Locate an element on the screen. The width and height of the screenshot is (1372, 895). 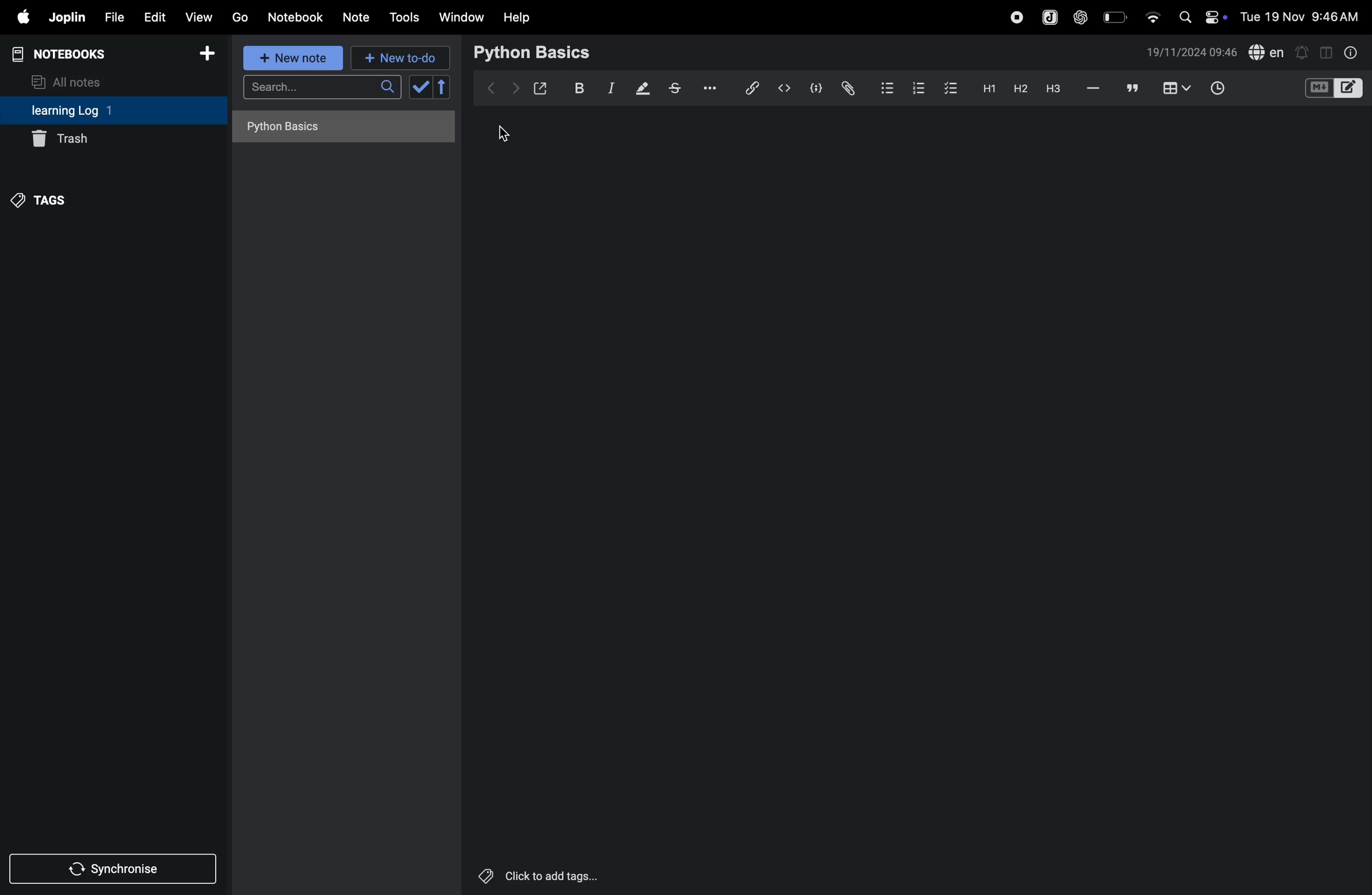
record is located at coordinates (1016, 16).